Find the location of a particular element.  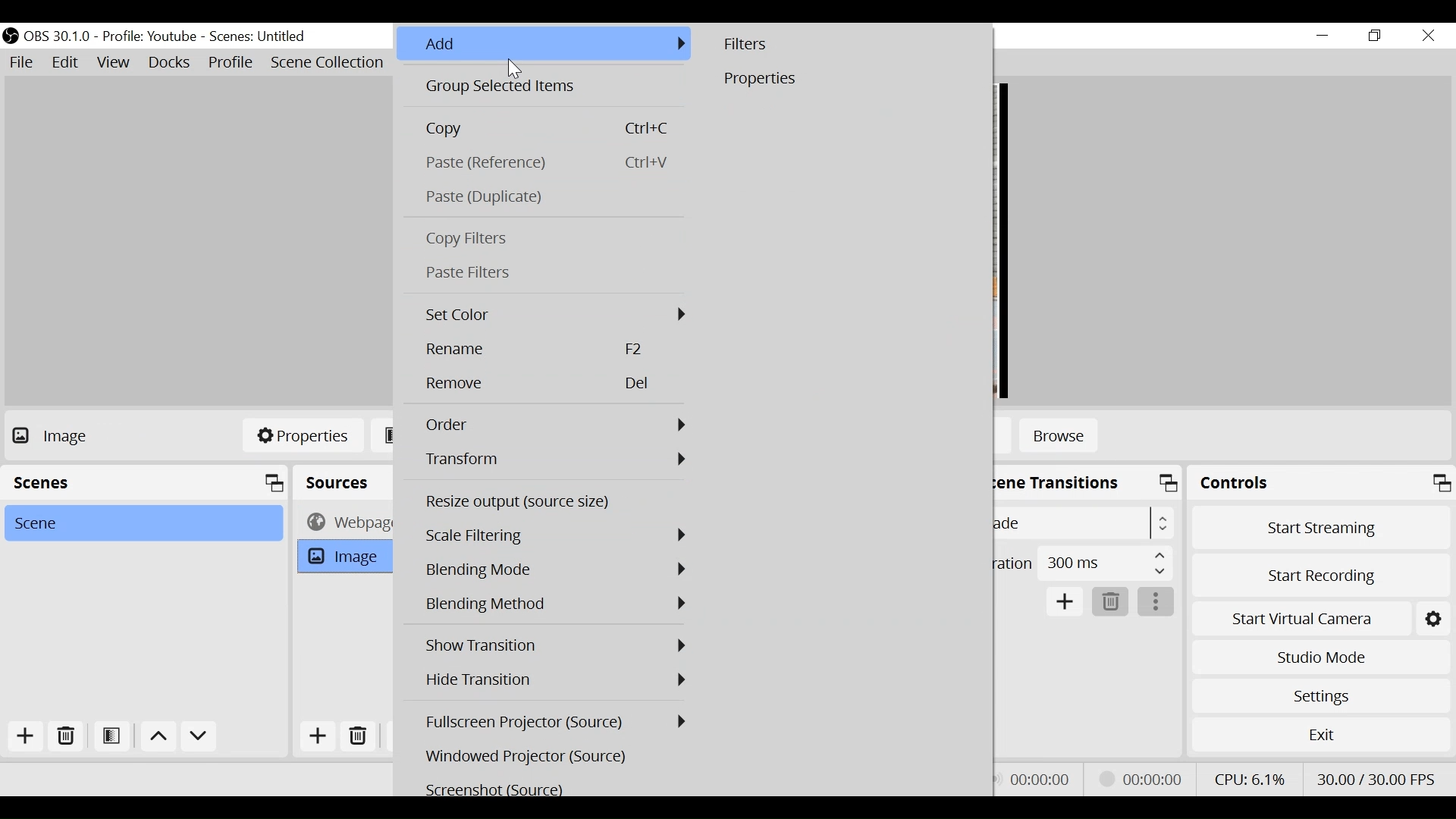

Delete is located at coordinates (64, 737).